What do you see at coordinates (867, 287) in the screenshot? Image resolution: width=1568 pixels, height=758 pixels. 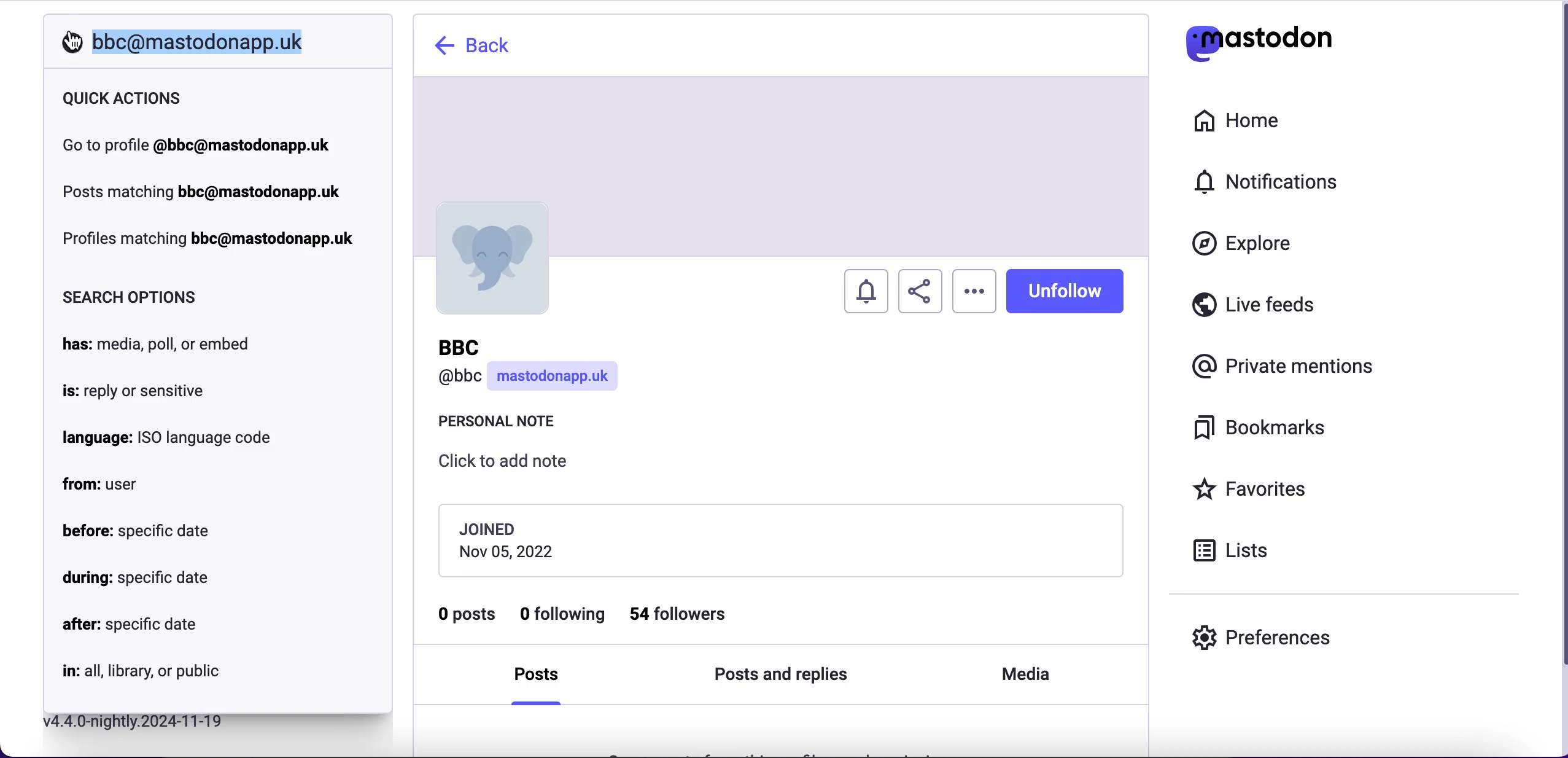 I see `turn notifications on` at bounding box center [867, 287].